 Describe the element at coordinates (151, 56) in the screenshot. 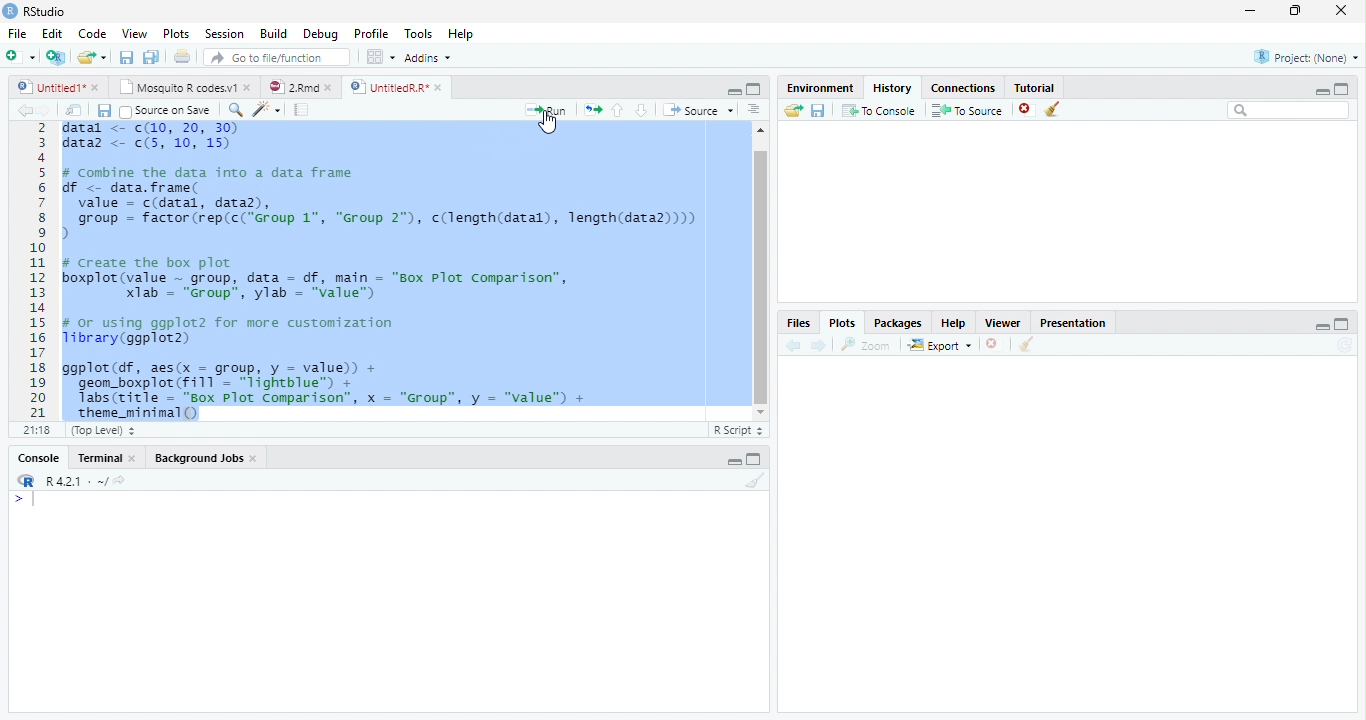

I see `Save all open documents` at that location.